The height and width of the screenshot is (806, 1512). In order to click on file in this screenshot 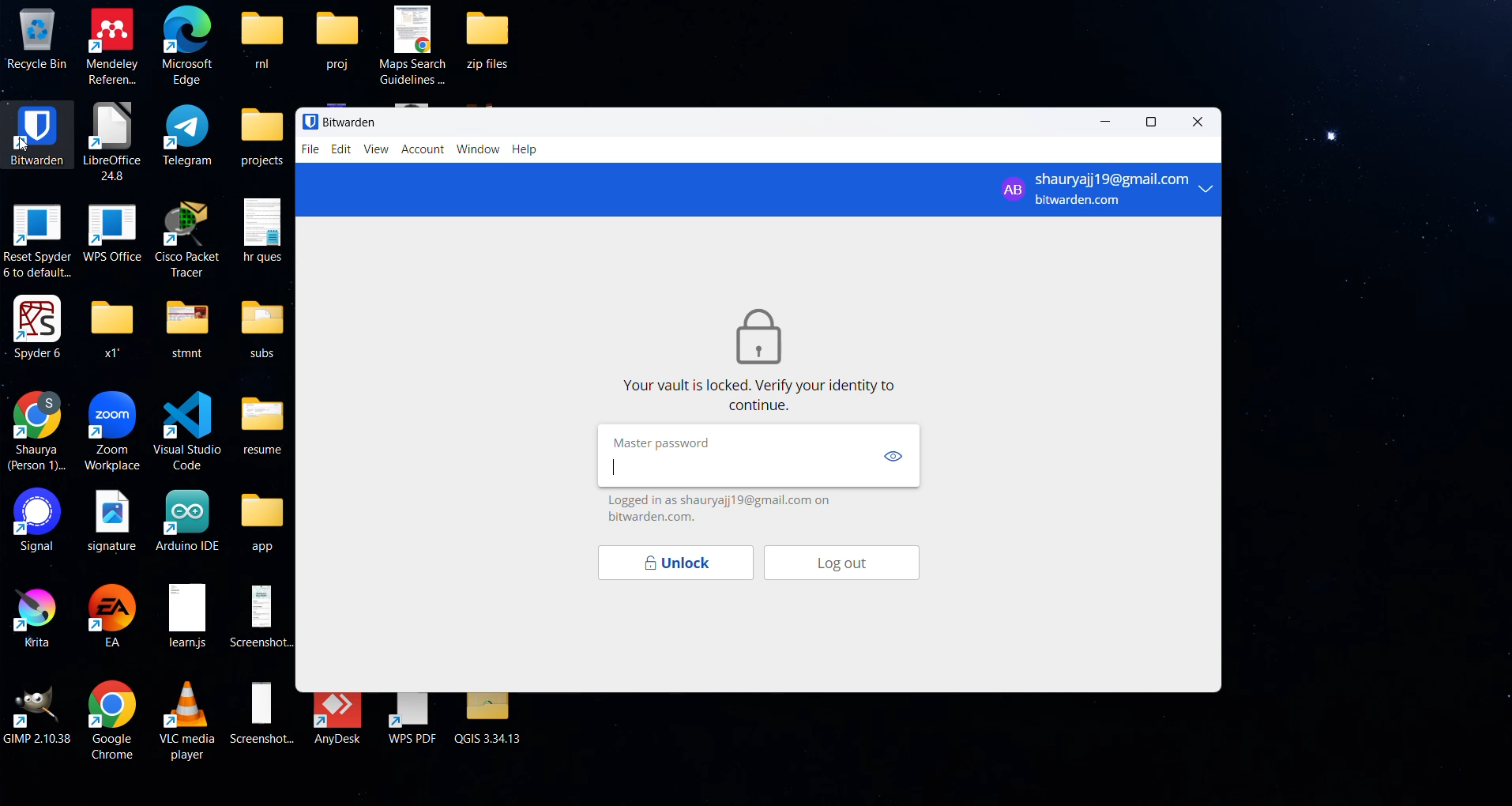, I will do `click(309, 149)`.